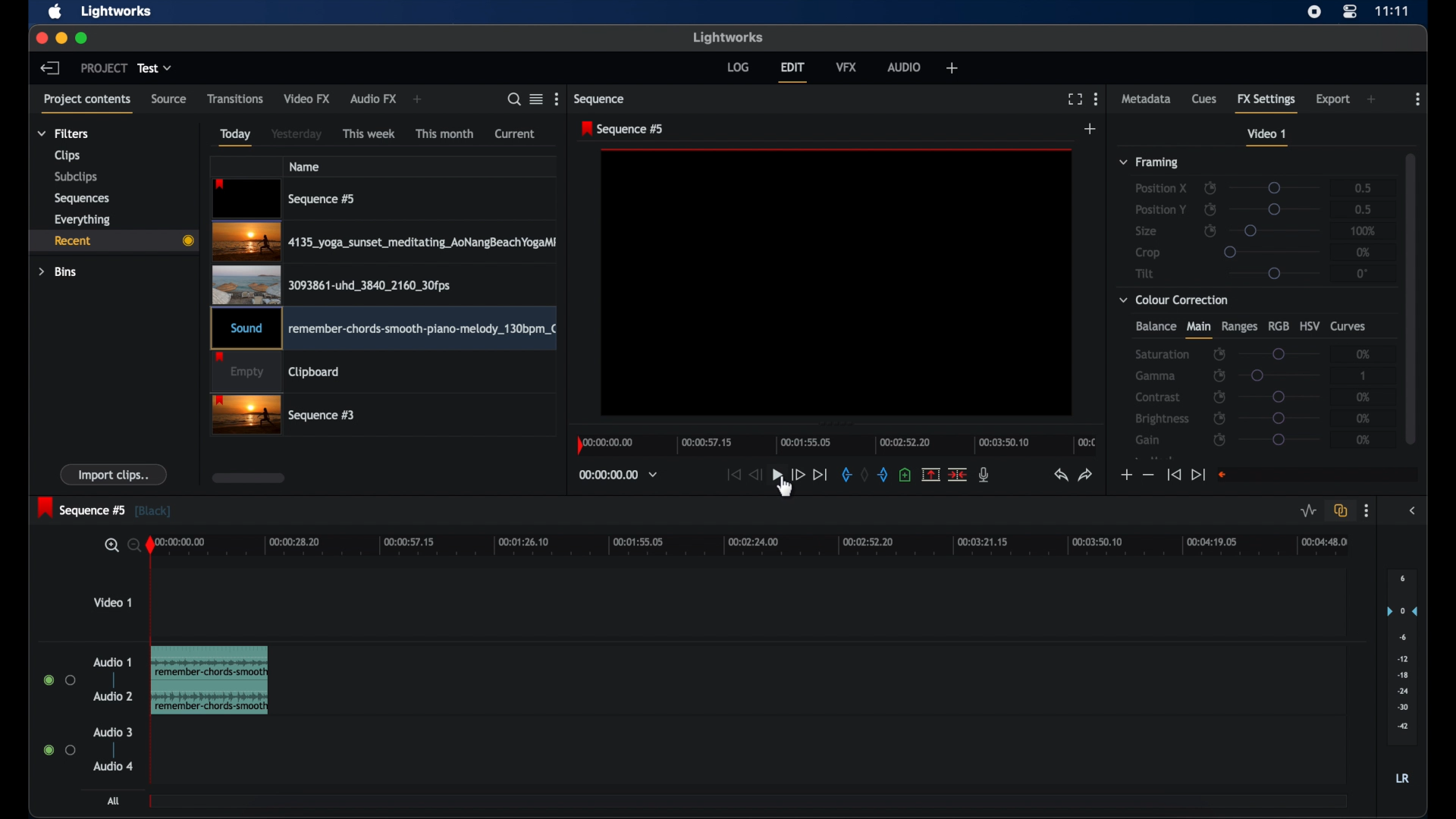  Describe the element at coordinates (1280, 375) in the screenshot. I see `slider` at that location.